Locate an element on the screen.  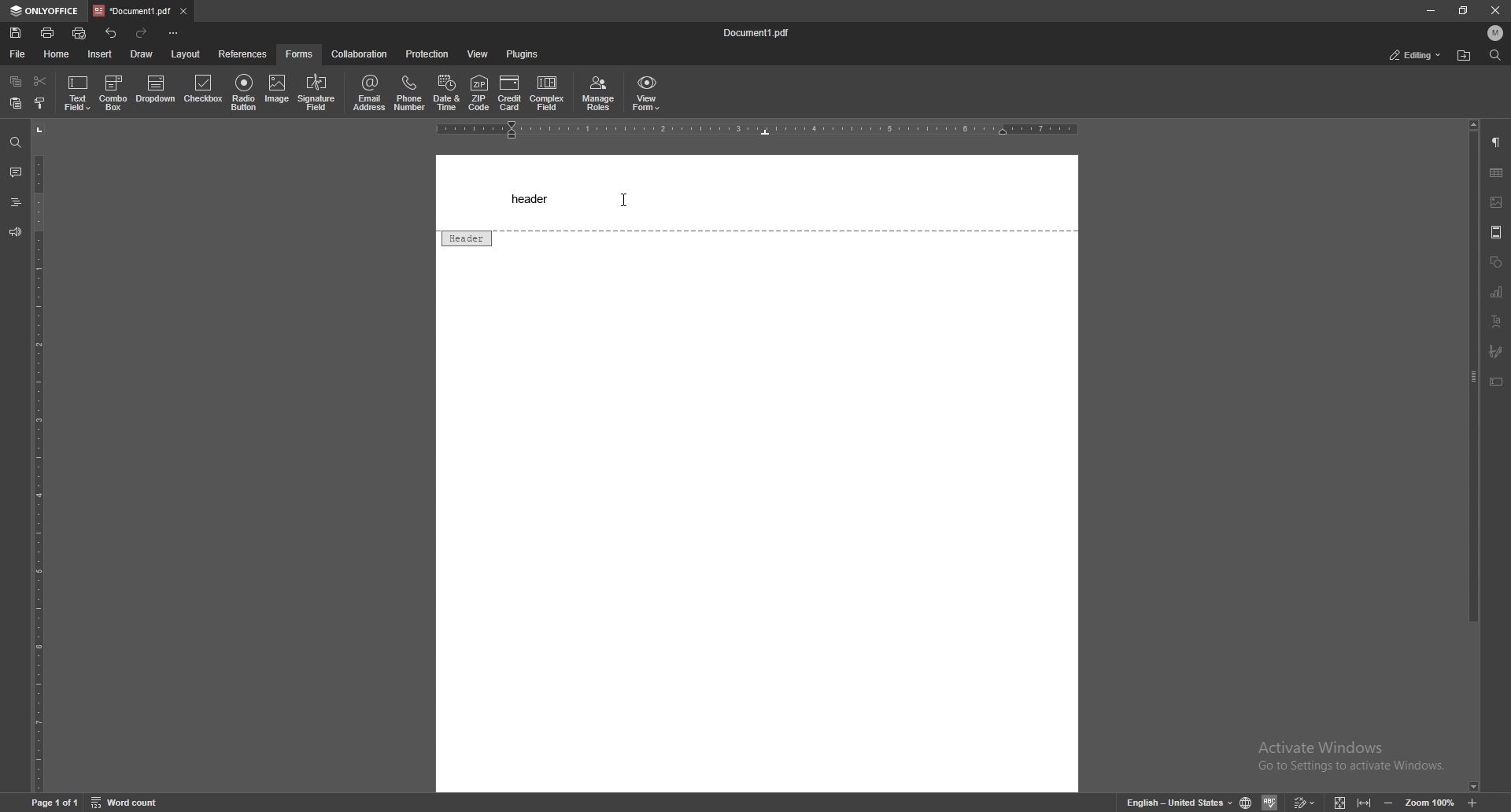
chart is located at coordinates (1498, 291).